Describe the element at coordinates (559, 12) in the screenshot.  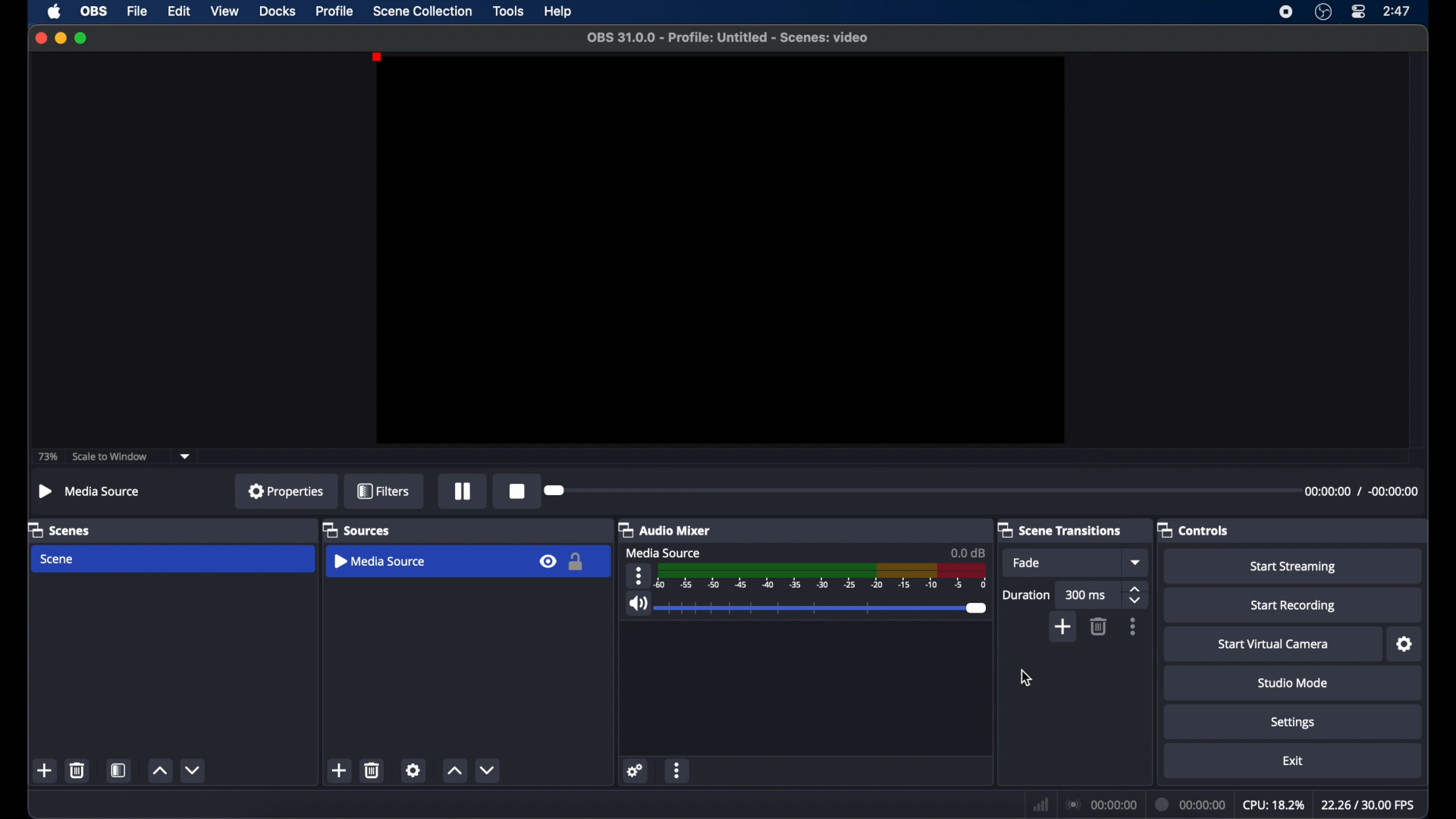
I see `help` at that location.